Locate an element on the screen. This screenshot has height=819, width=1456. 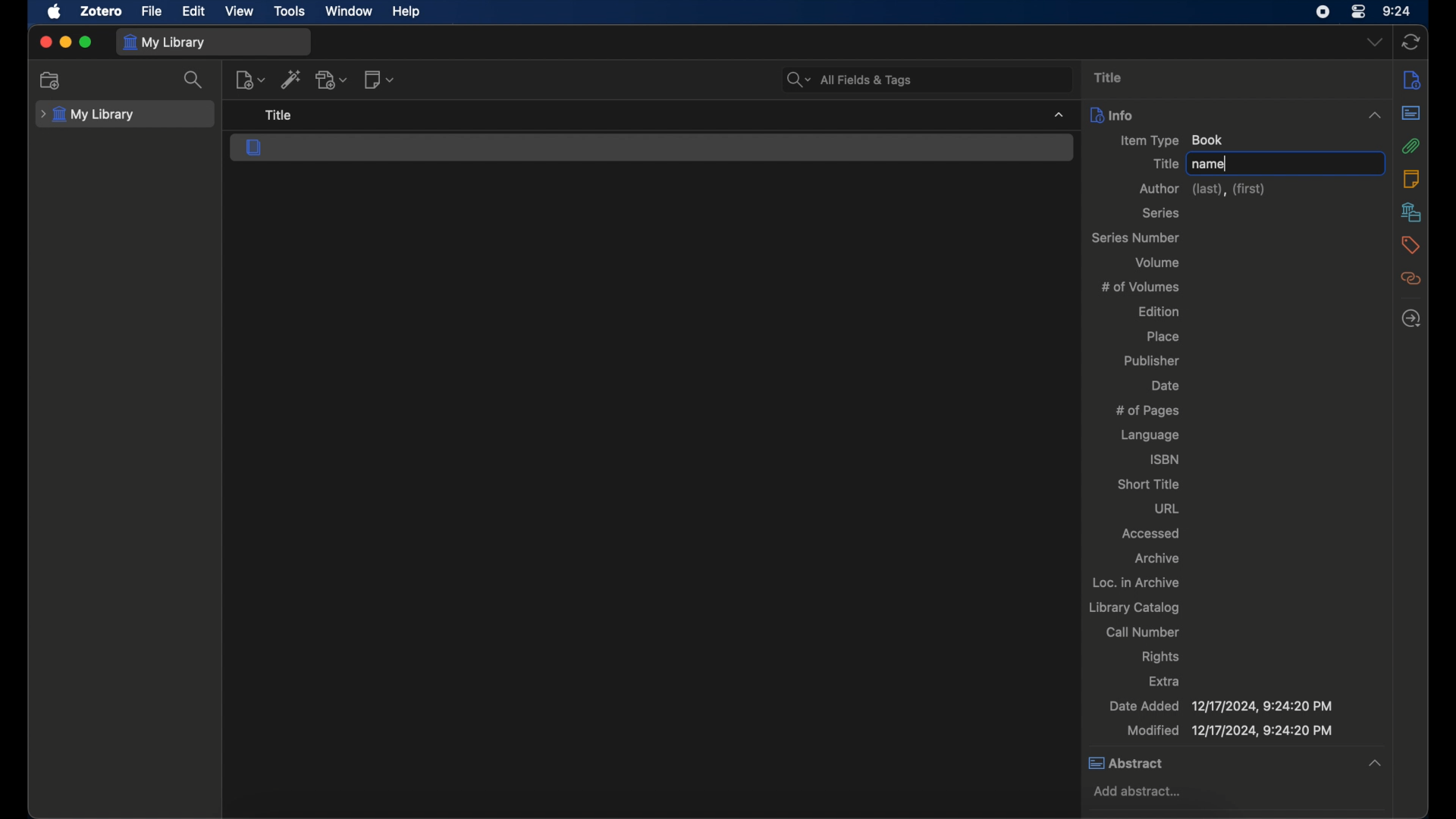
add attachment is located at coordinates (333, 80).